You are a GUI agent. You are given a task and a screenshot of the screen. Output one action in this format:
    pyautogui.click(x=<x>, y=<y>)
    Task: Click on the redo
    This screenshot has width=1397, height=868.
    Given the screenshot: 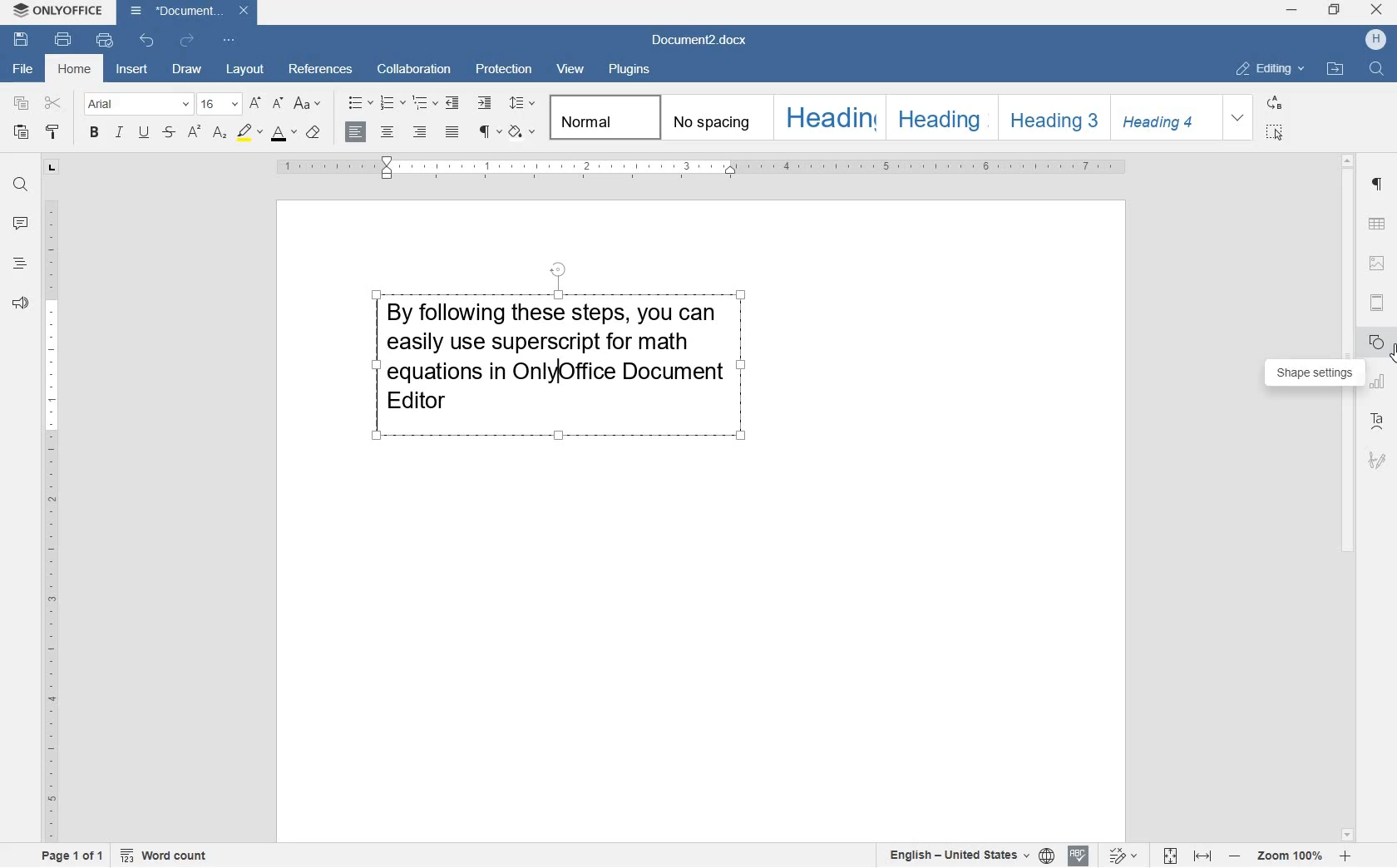 What is the action you would take?
    pyautogui.click(x=187, y=42)
    